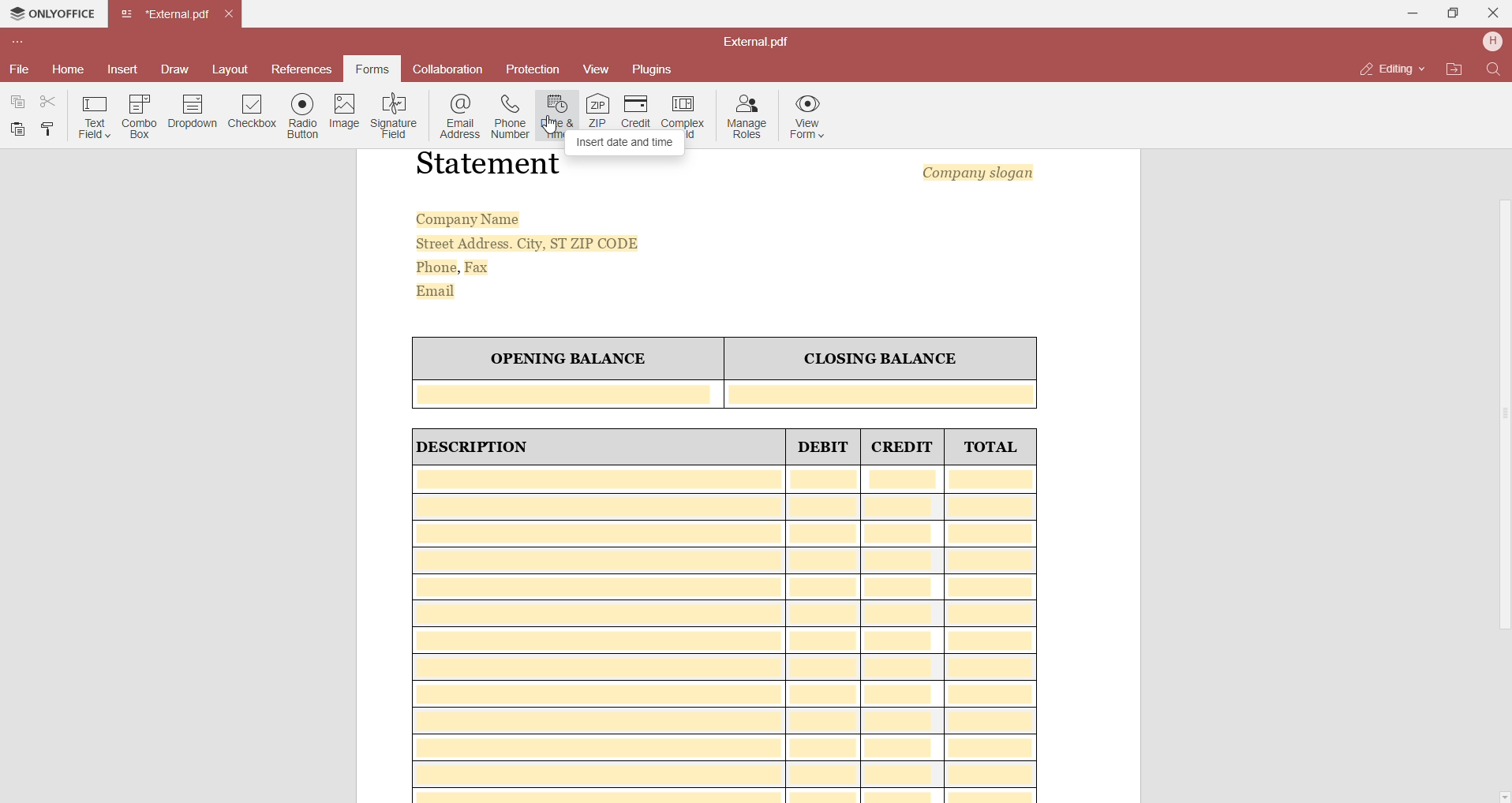 Image resolution: width=1512 pixels, height=803 pixels. I want to click on Dropdown, so click(193, 111).